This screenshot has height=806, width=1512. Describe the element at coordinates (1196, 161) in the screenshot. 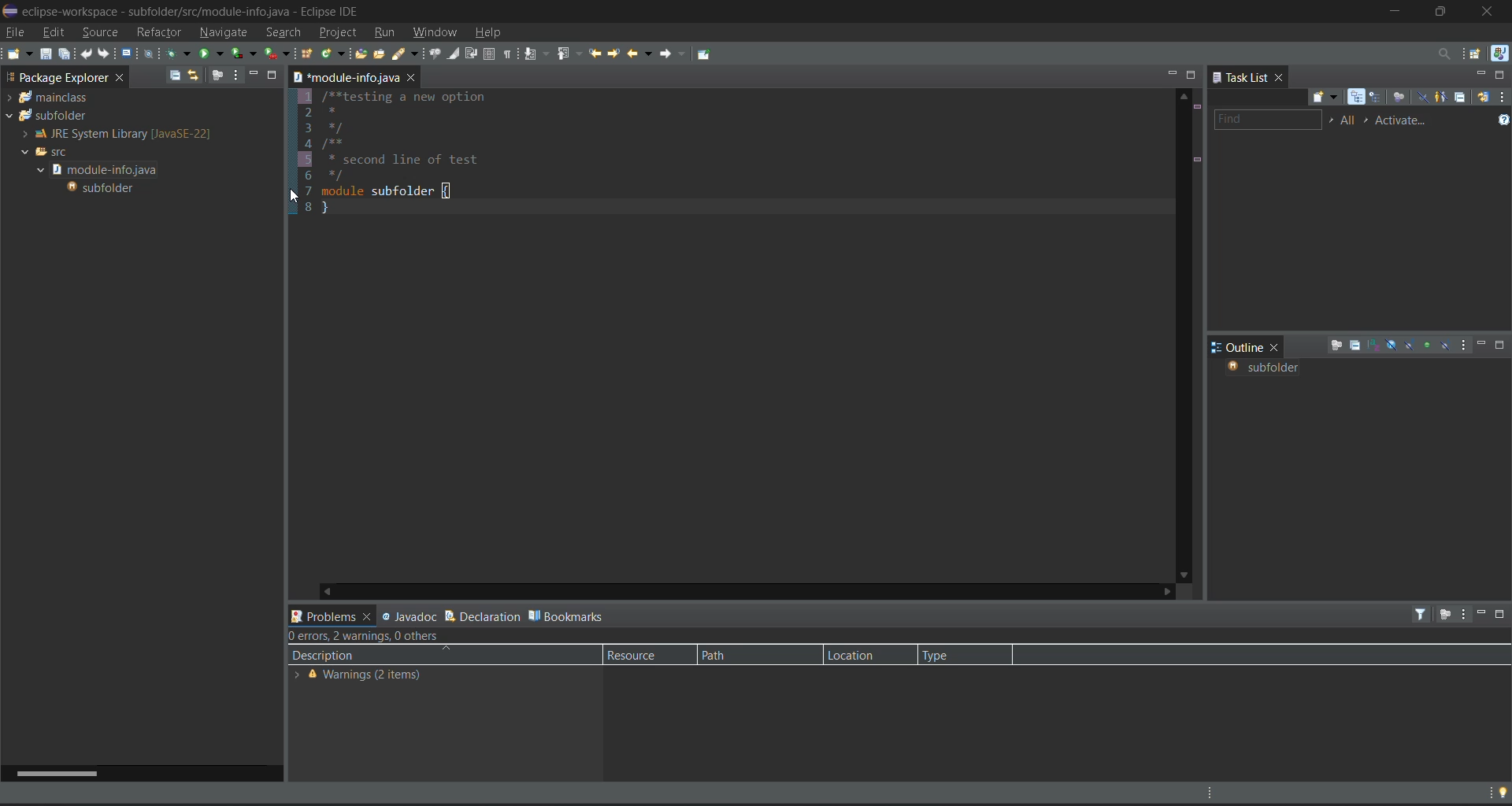

I see `changed lines marks` at that location.